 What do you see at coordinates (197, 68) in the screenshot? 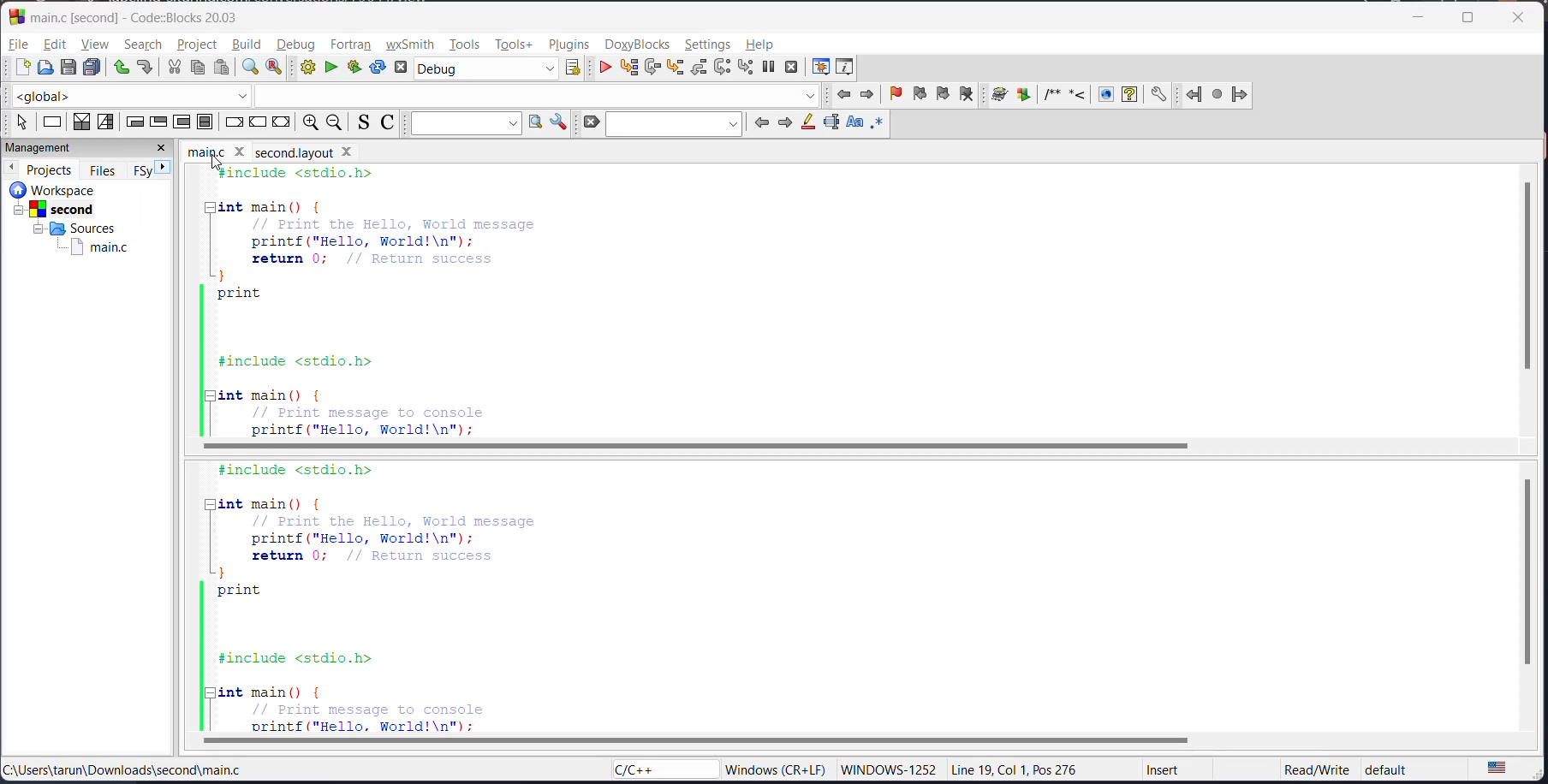
I see `copy` at bounding box center [197, 68].